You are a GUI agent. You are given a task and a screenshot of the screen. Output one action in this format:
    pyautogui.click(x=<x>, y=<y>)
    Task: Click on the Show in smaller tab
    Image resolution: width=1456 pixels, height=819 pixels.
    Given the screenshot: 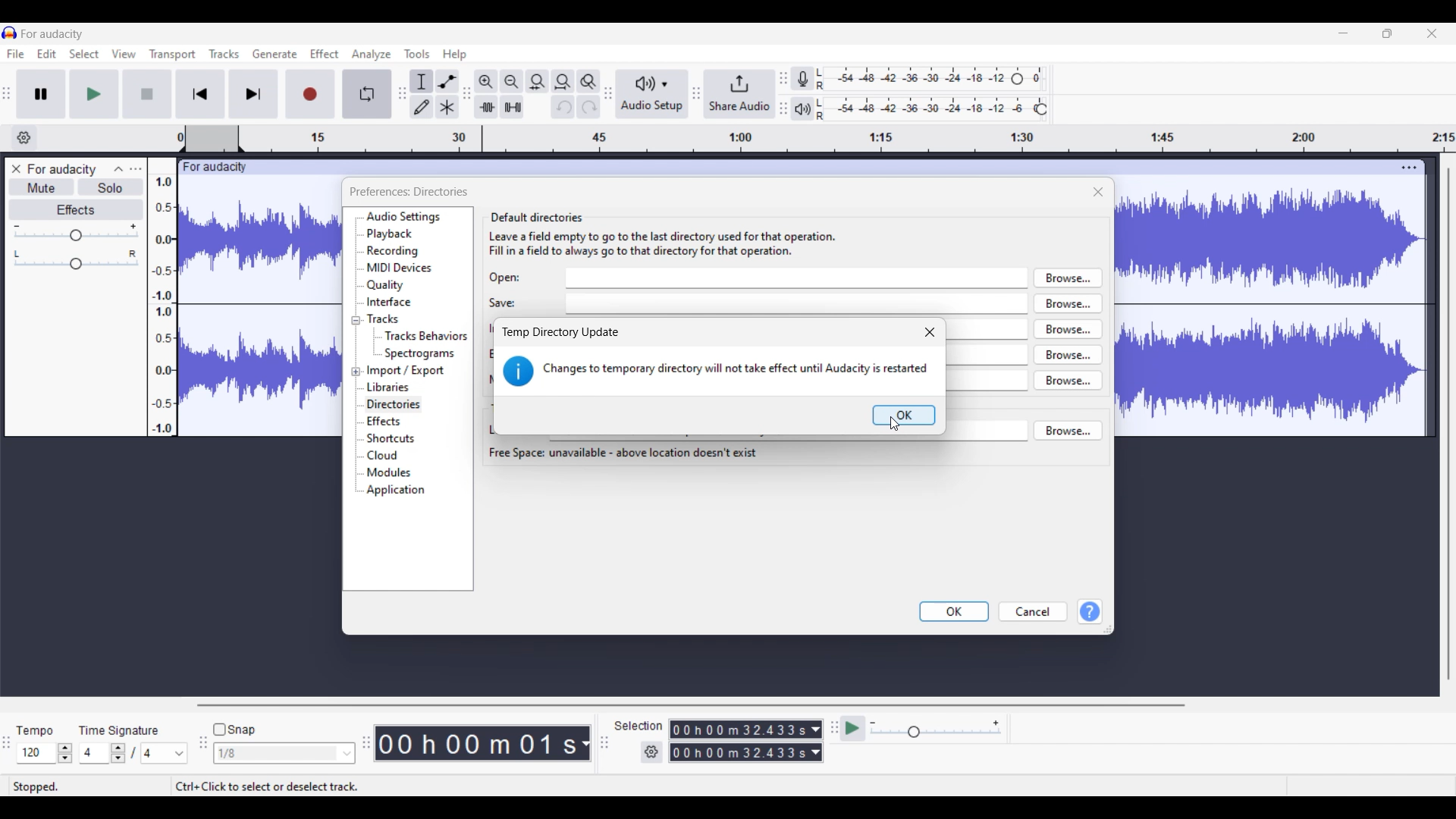 What is the action you would take?
    pyautogui.click(x=1388, y=33)
    